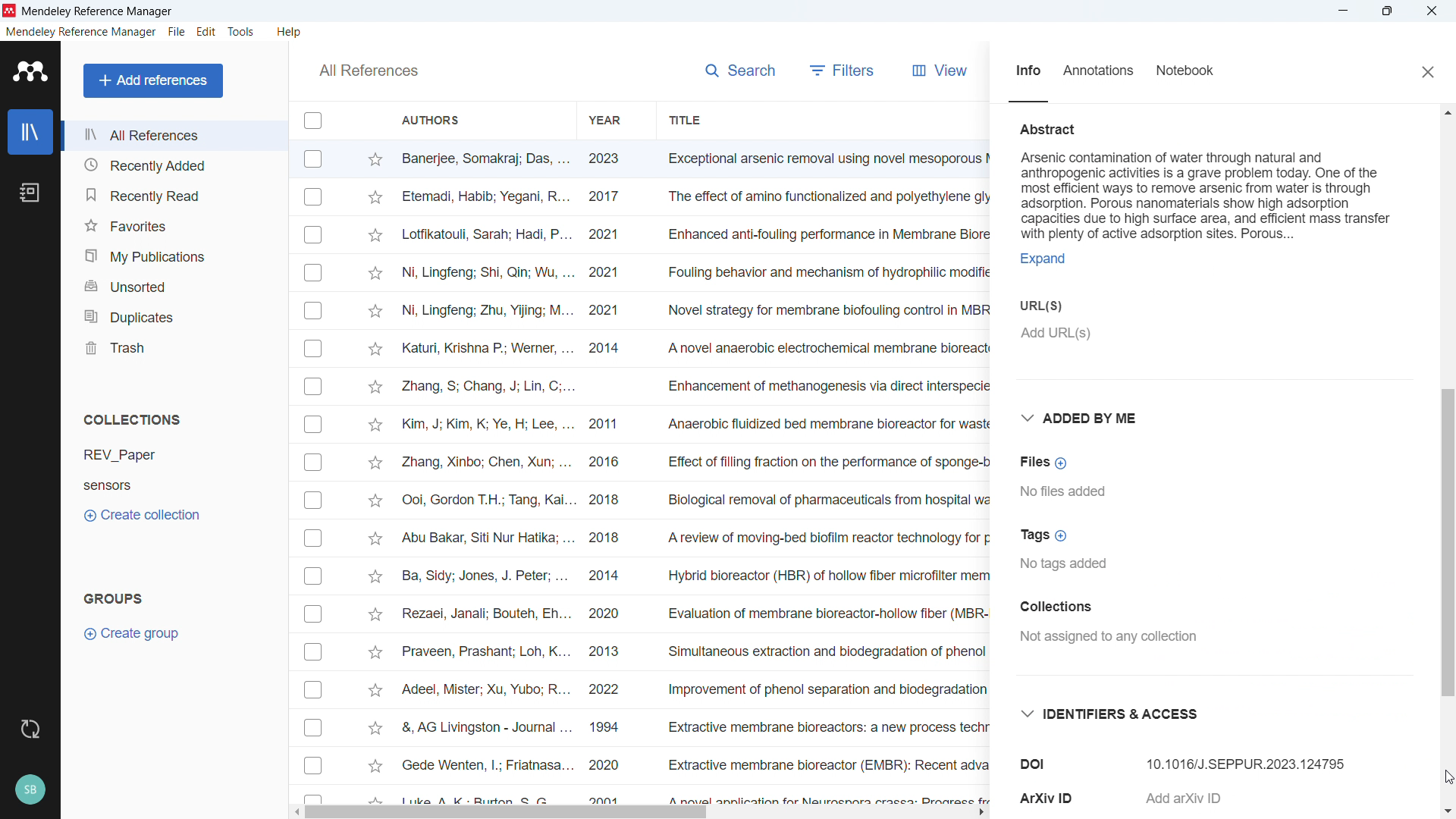  Describe the element at coordinates (207, 32) in the screenshot. I see `Edit ` at that location.